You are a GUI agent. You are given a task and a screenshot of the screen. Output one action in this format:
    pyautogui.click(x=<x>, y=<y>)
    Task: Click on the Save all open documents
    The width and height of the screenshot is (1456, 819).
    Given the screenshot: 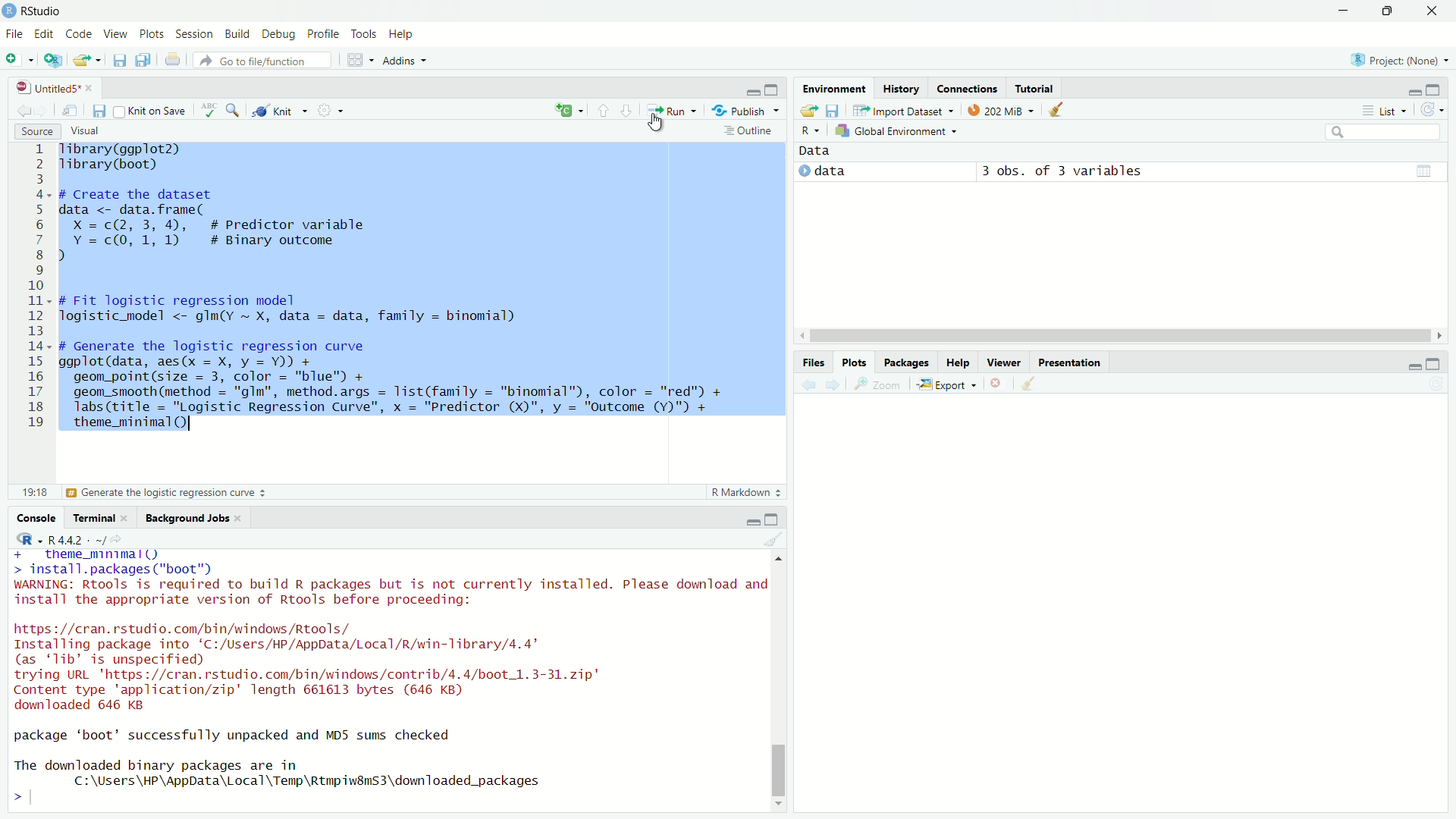 What is the action you would take?
    pyautogui.click(x=143, y=58)
    